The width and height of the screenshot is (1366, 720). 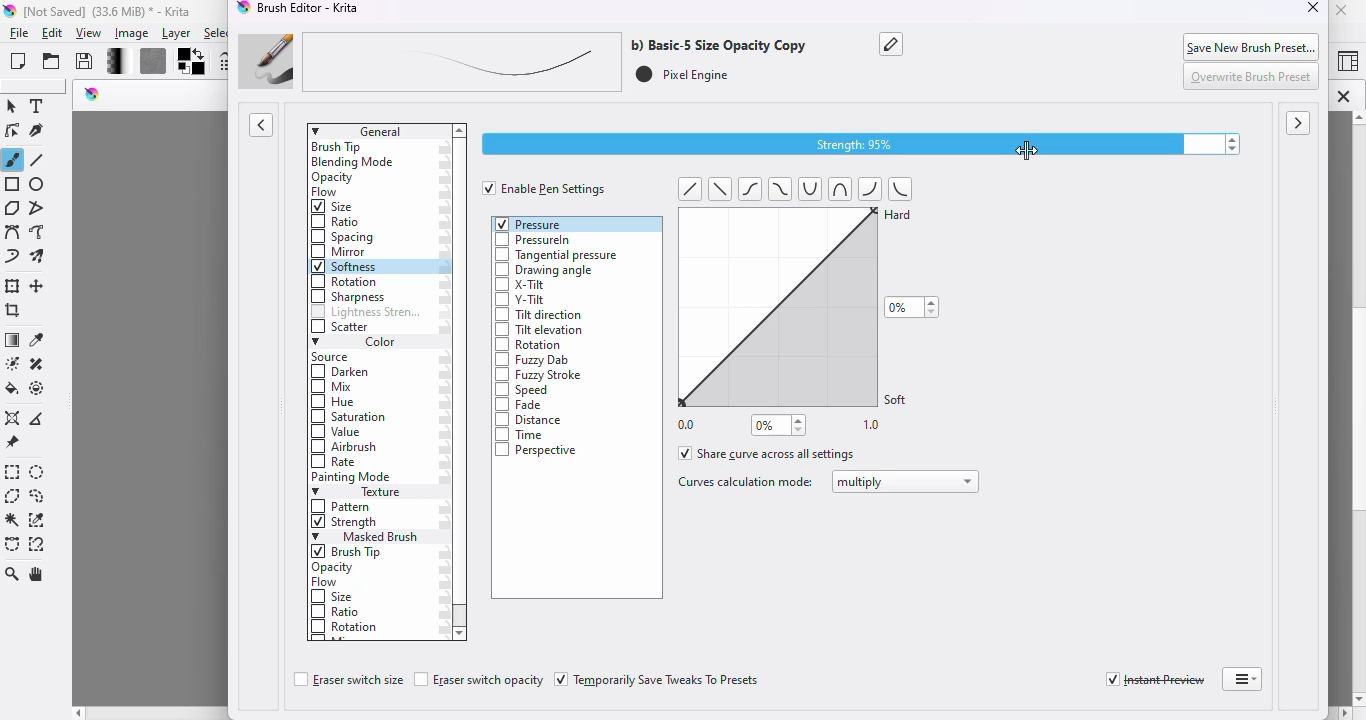 I want to click on fill patterns, so click(x=149, y=62).